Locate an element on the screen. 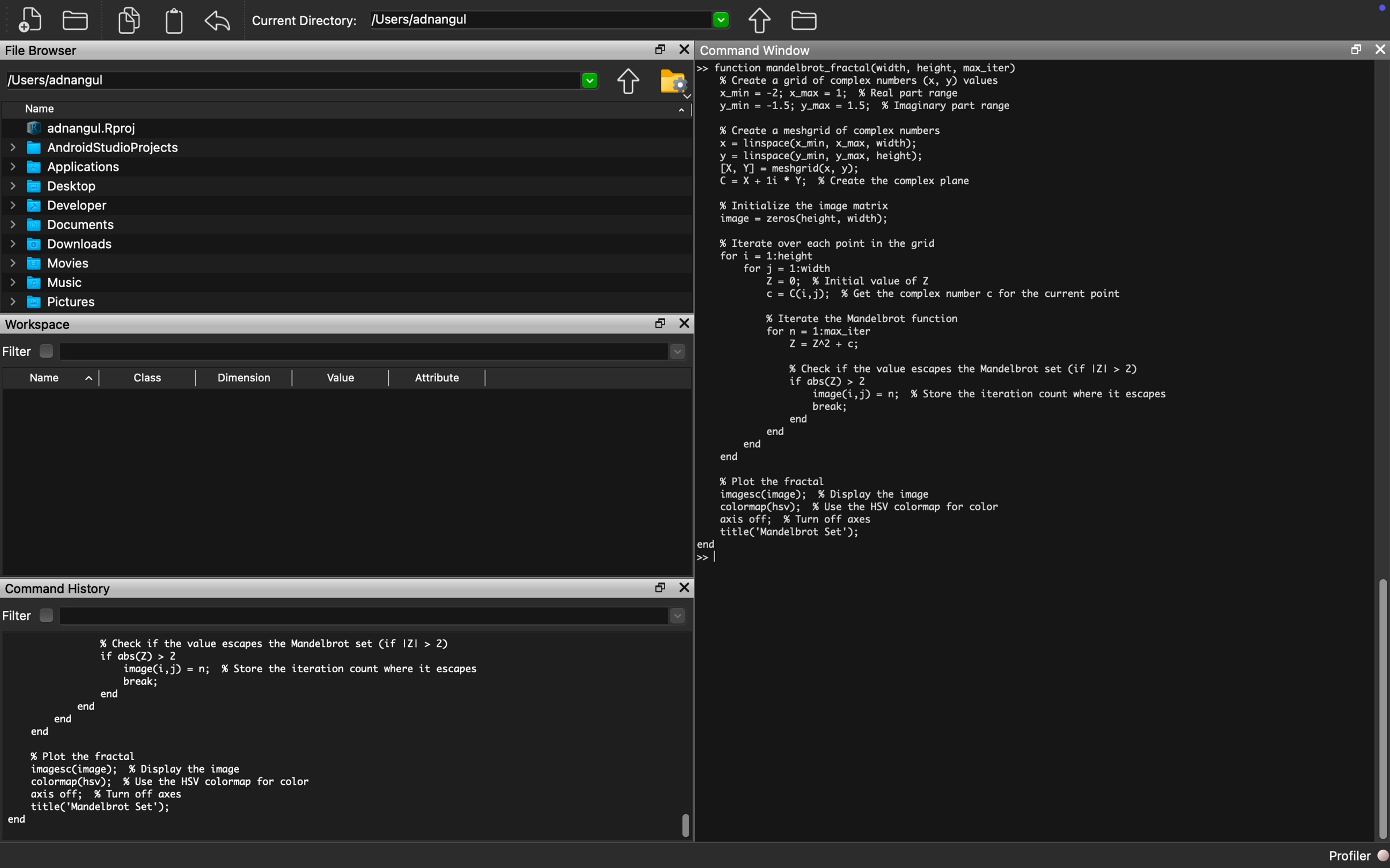 The image size is (1390, 868). Class is located at coordinates (149, 377).